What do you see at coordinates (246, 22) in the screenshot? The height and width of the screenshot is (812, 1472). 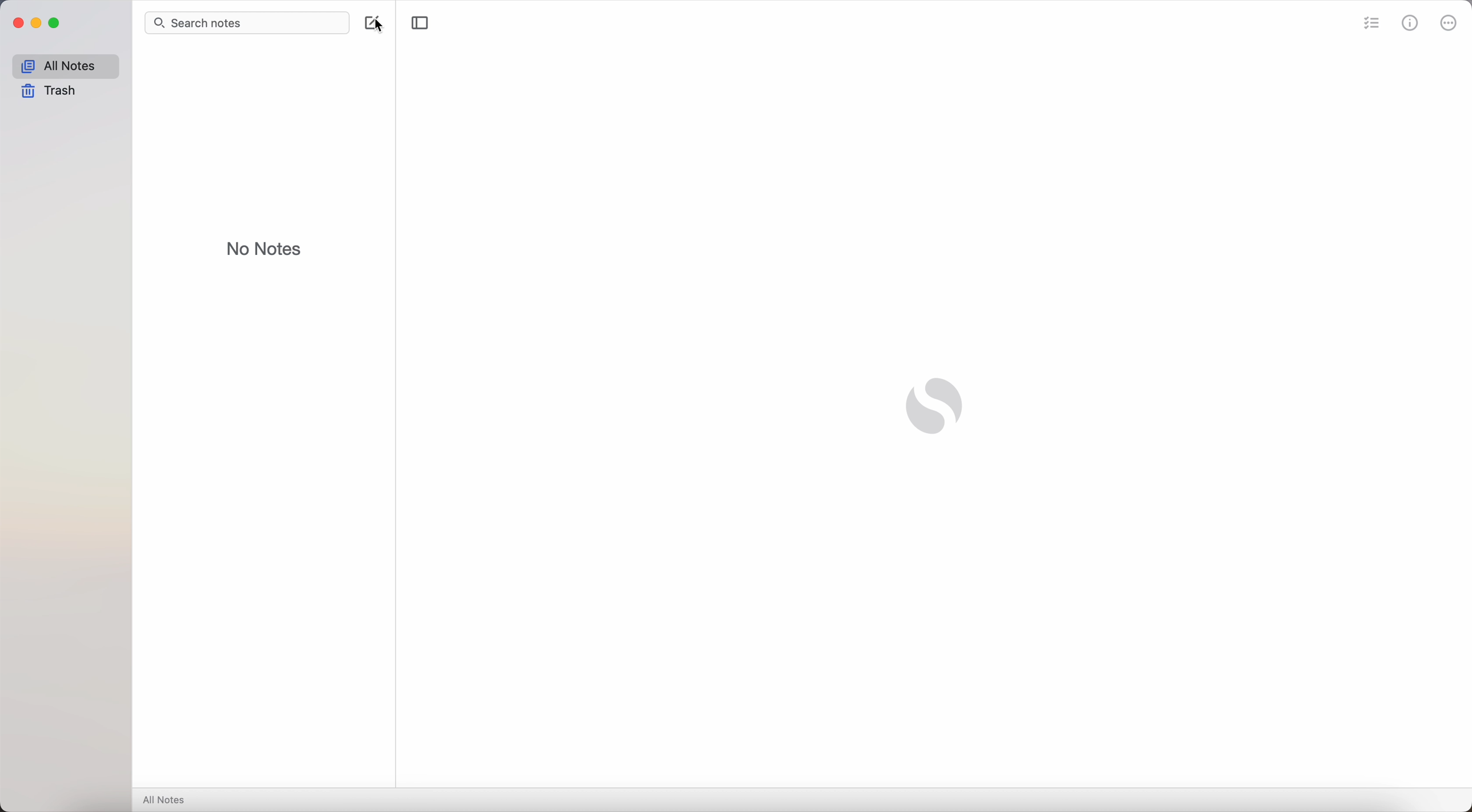 I see `search bar` at bounding box center [246, 22].